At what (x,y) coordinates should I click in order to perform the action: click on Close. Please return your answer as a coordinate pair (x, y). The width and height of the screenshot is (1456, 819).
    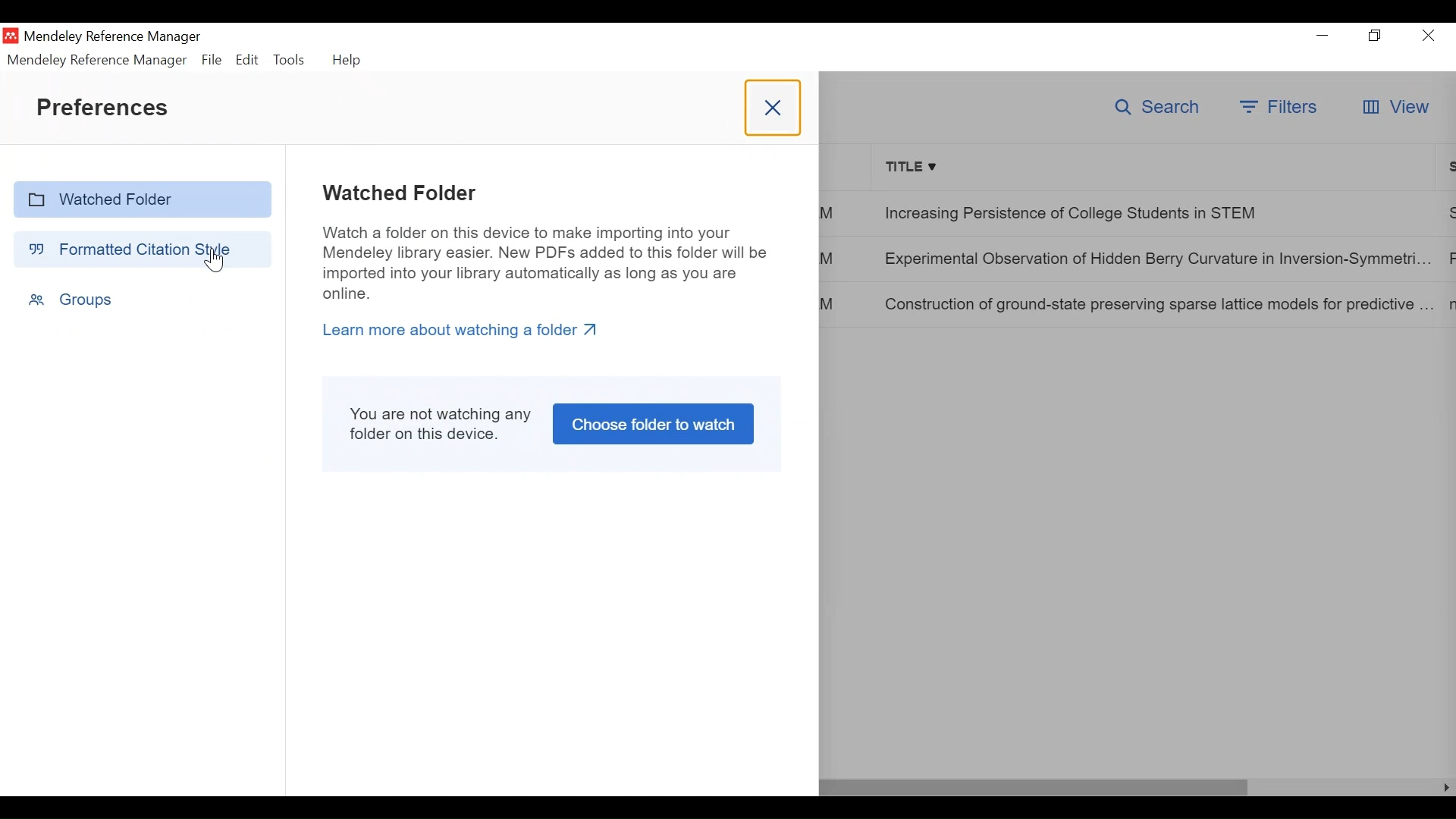
    Looking at the image, I should click on (1428, 36).